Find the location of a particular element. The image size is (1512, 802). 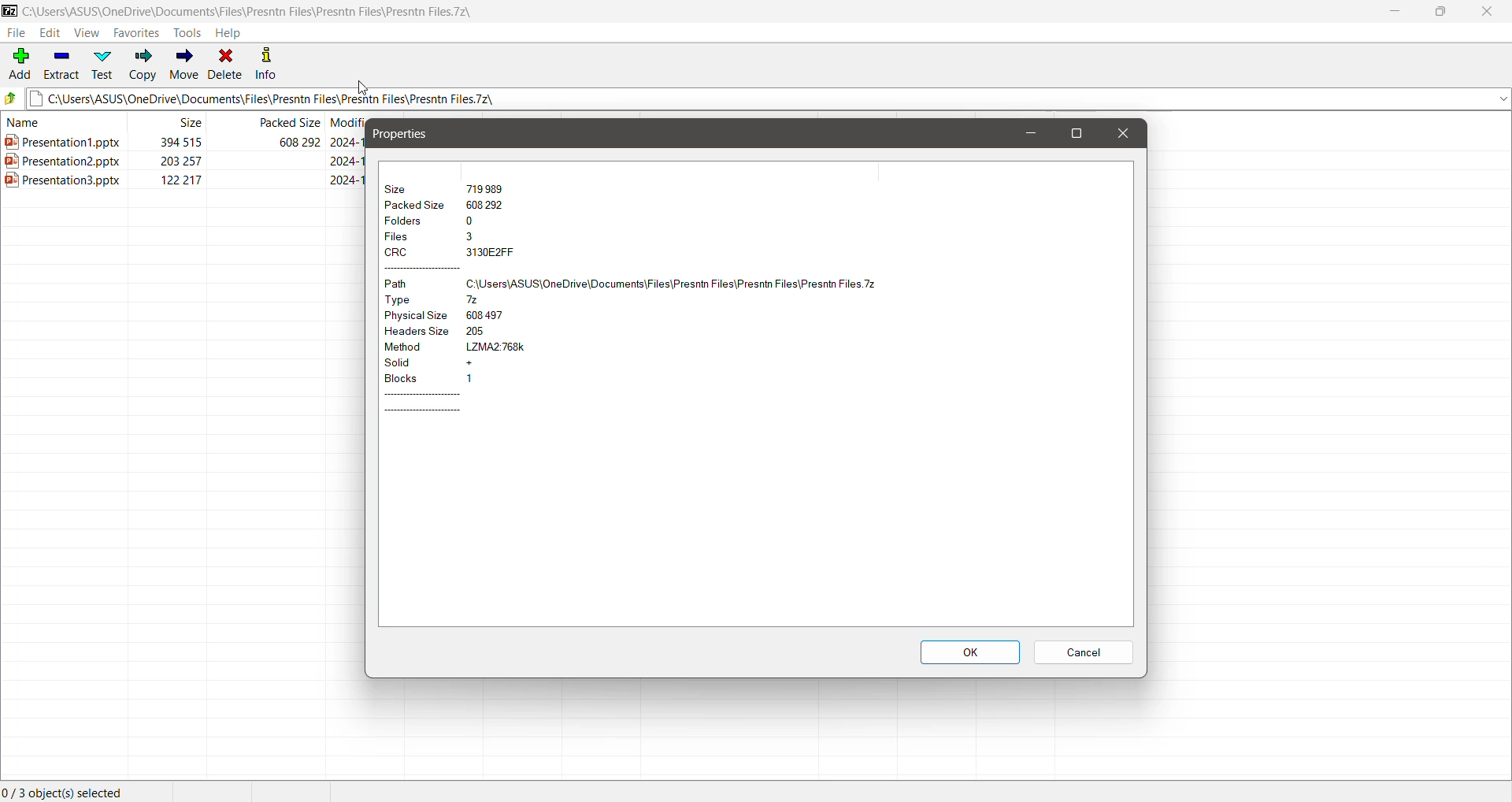

 Type is located at coordinates (410, 300).